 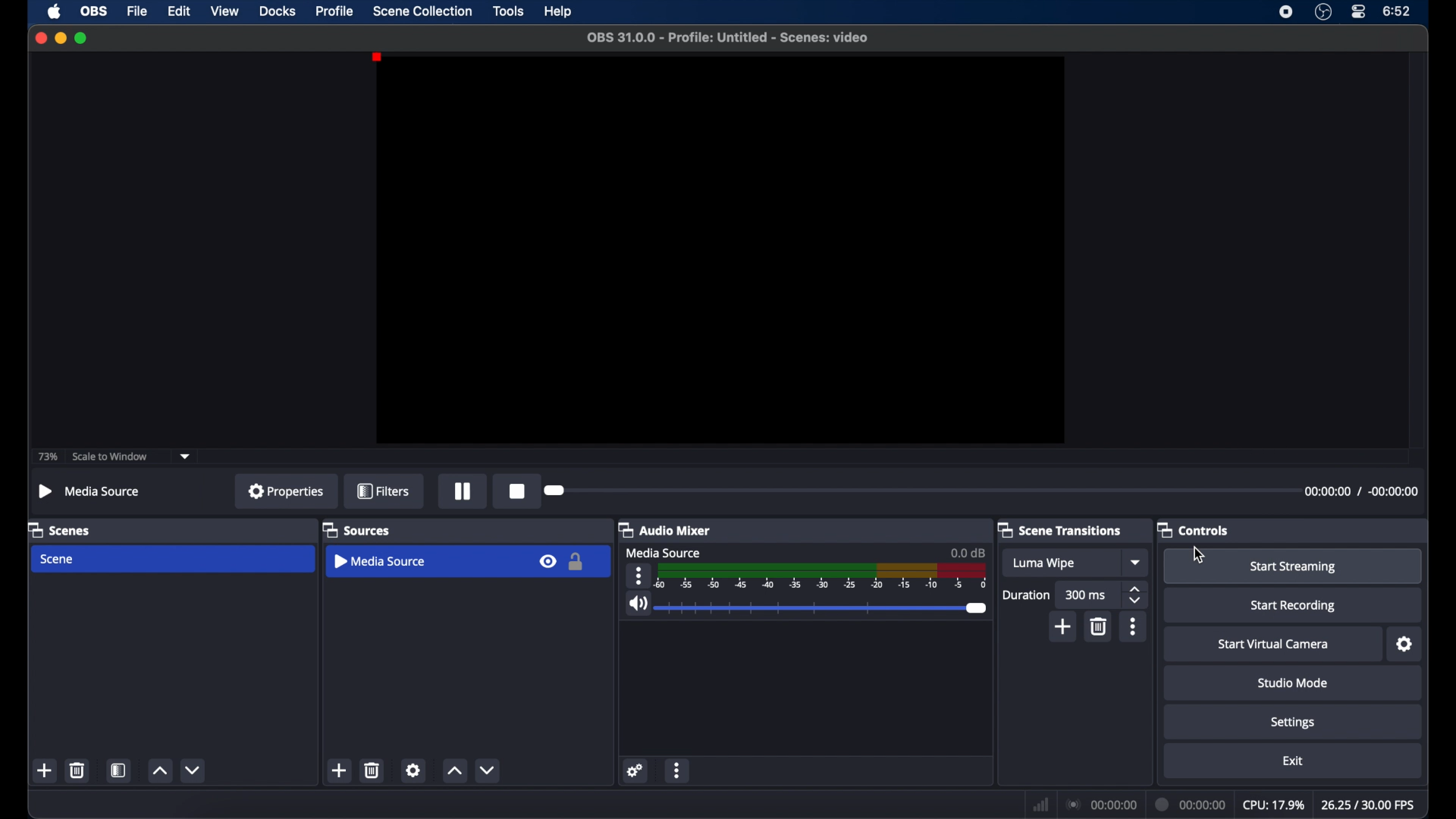 I want to click on cursor, so click(x=1198, y=555).